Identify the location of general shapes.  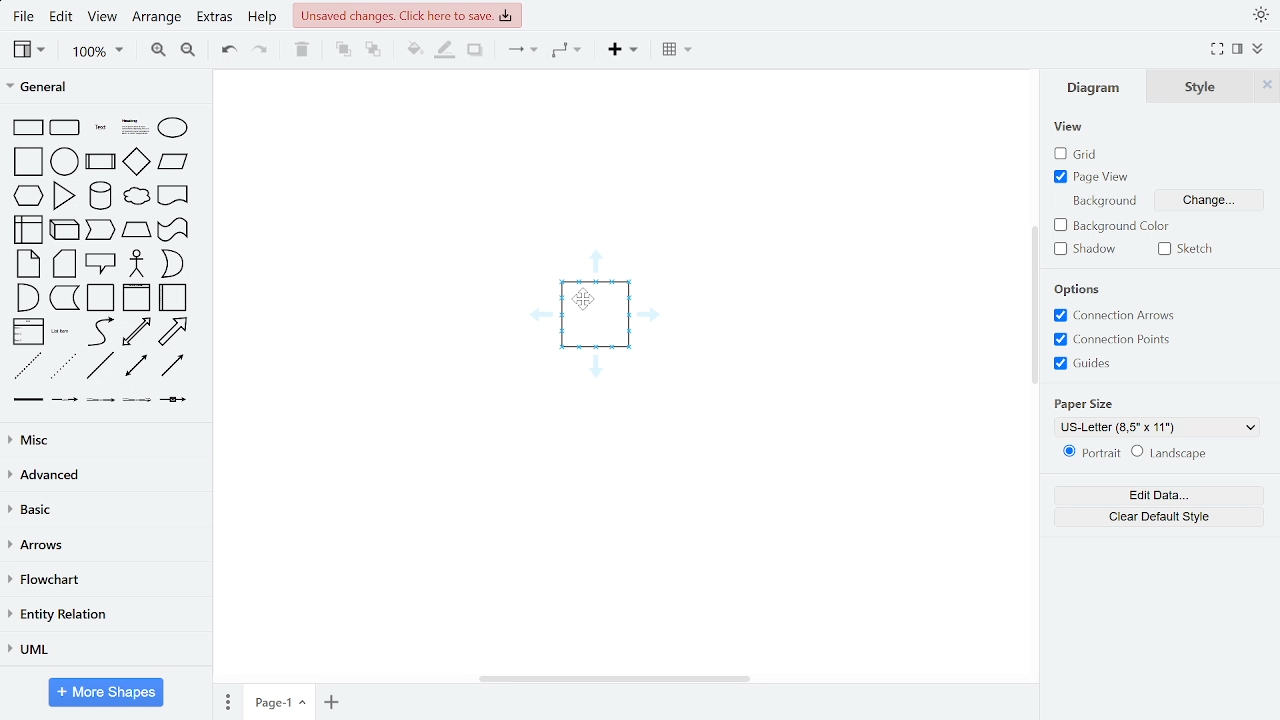
(27, 159).